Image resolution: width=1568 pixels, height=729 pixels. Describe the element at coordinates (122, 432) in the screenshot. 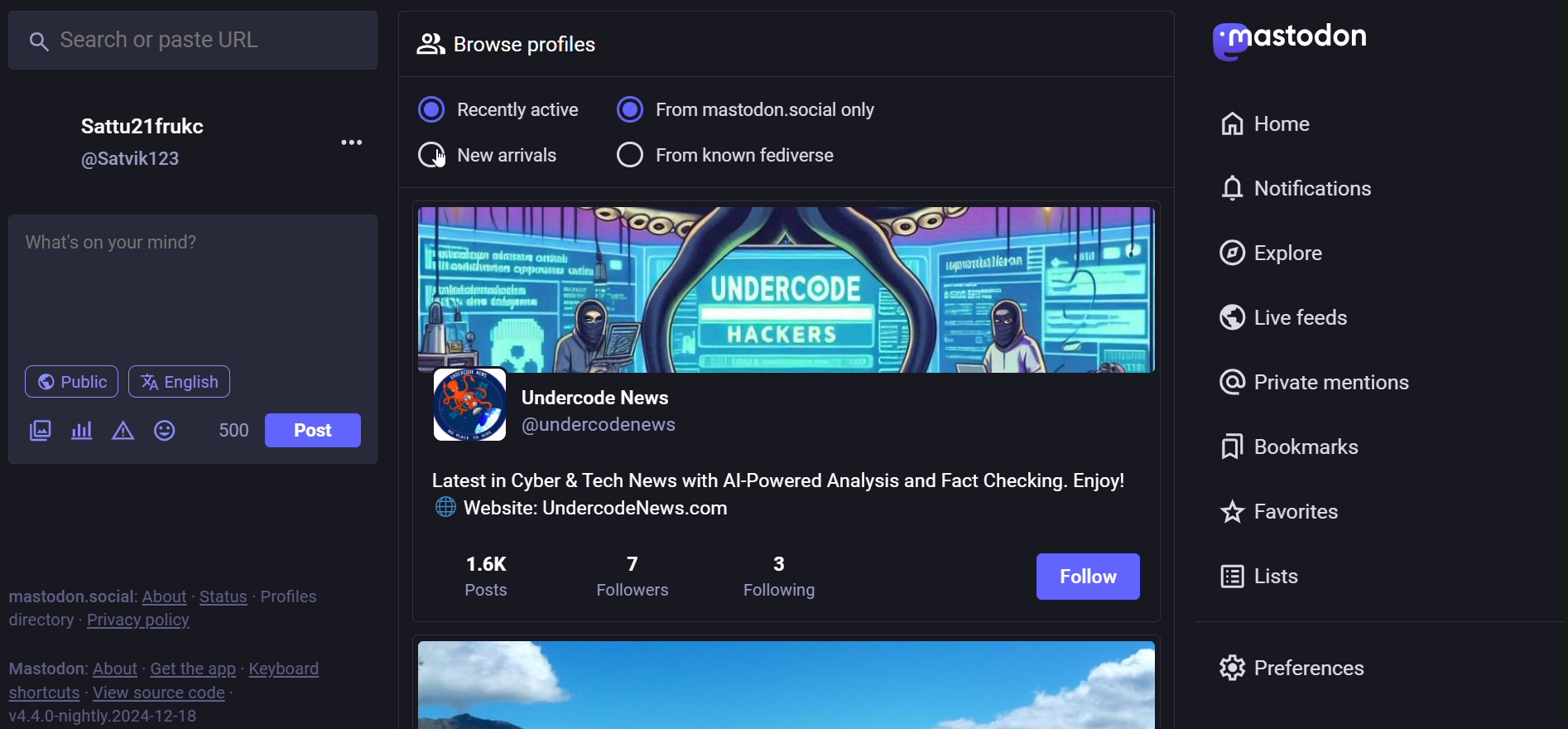

I see `content warning` at that location.